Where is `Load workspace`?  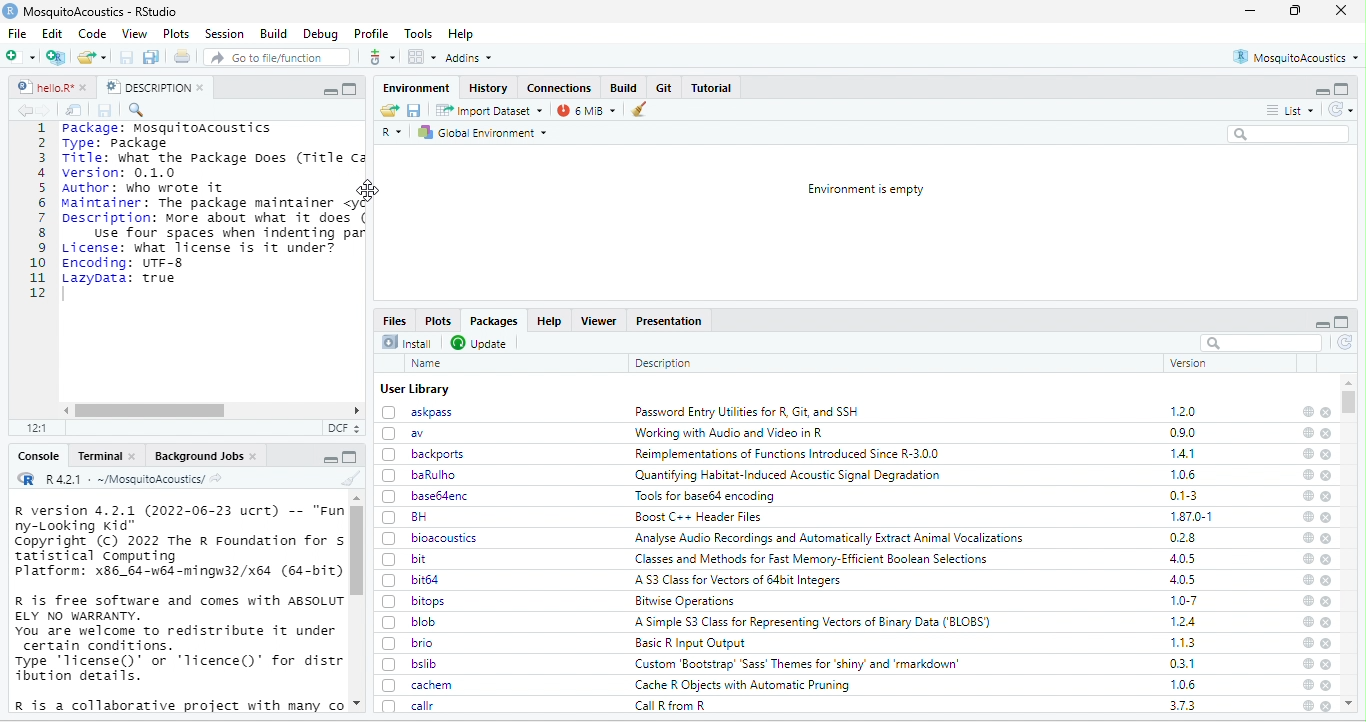 Load workspace is located at coordinates (388, 110).